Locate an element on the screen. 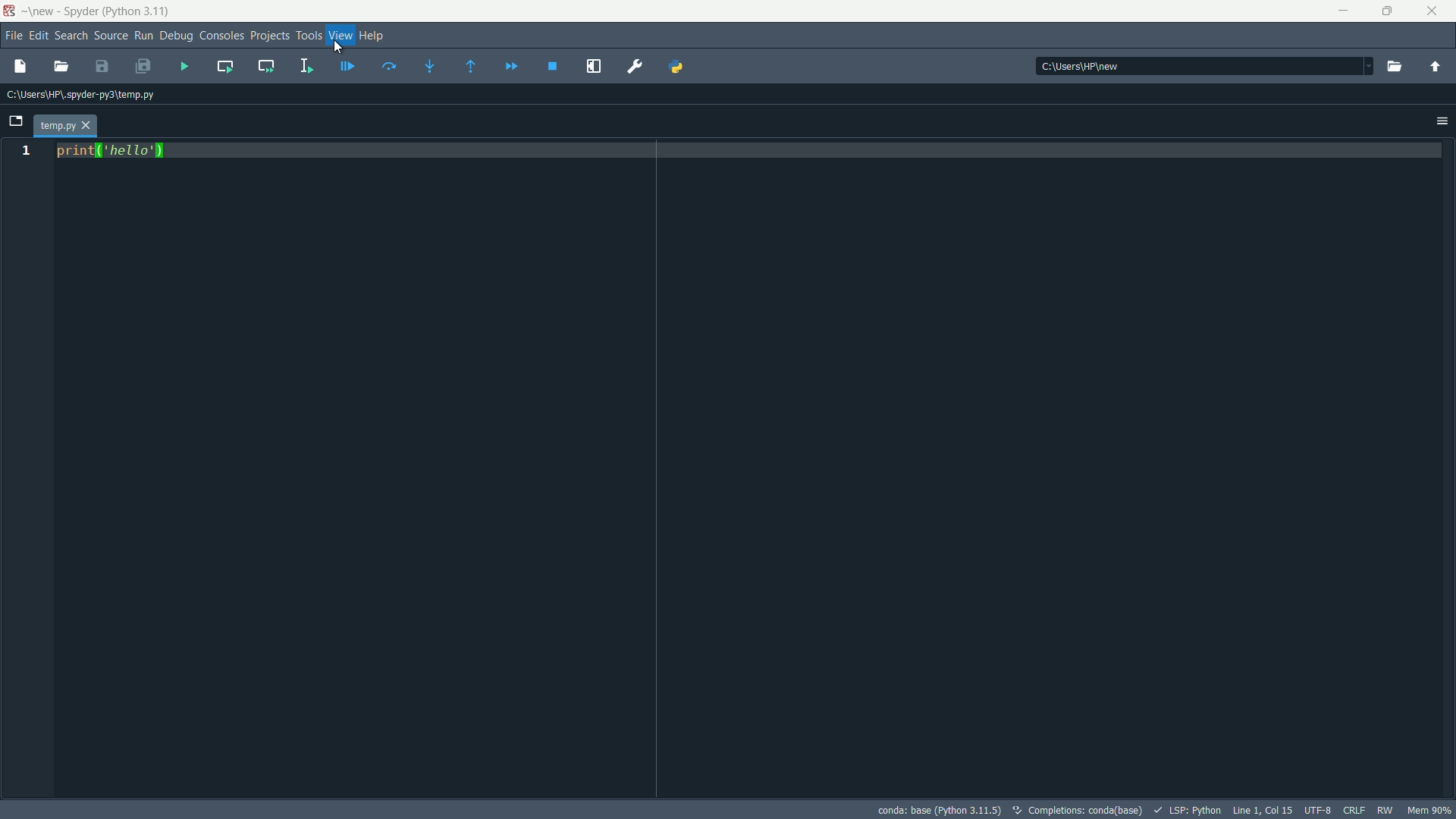 This screenshot has width=1456, height=819. temp.py tab is located at coordinates (66, 127).